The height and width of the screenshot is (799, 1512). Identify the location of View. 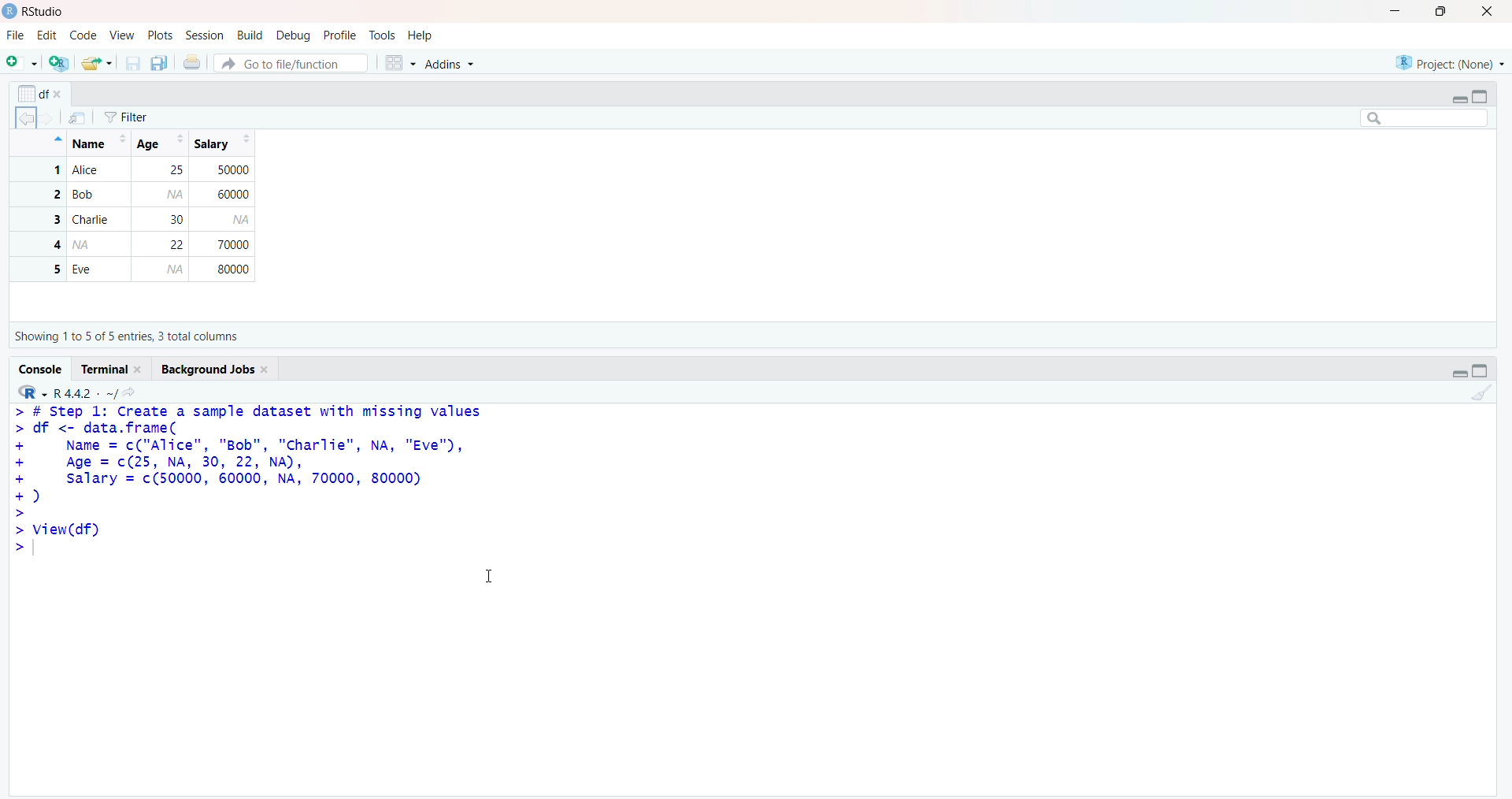
(121, 36).